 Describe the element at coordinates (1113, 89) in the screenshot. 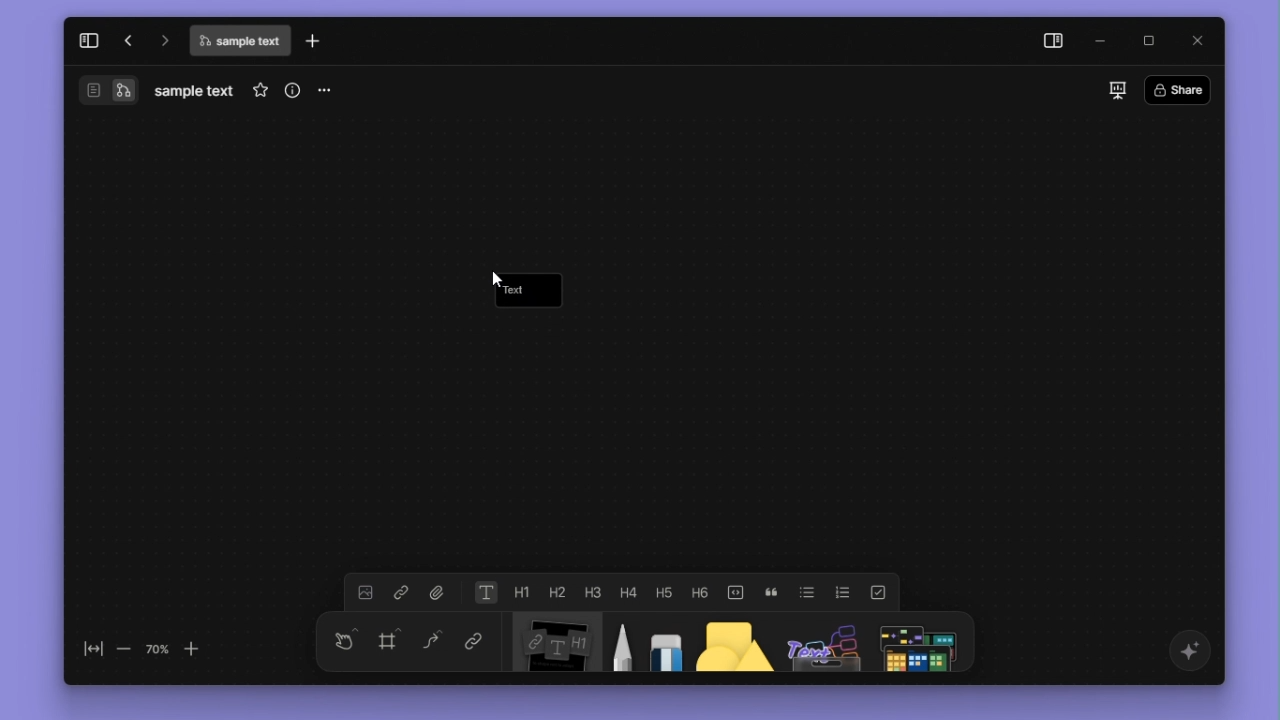

I see `slideshow` at that location.